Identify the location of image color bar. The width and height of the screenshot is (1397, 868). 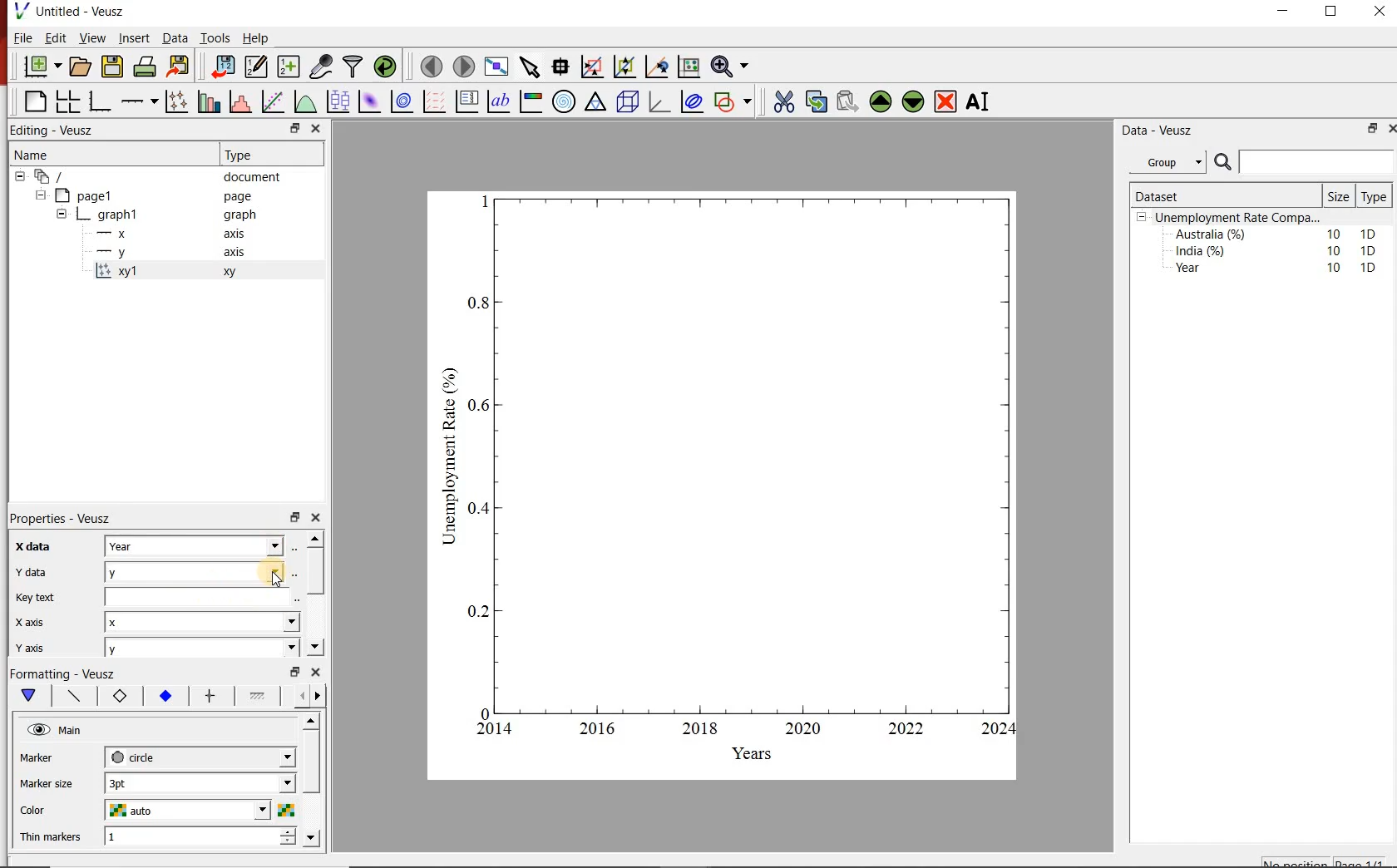
(531, 102).